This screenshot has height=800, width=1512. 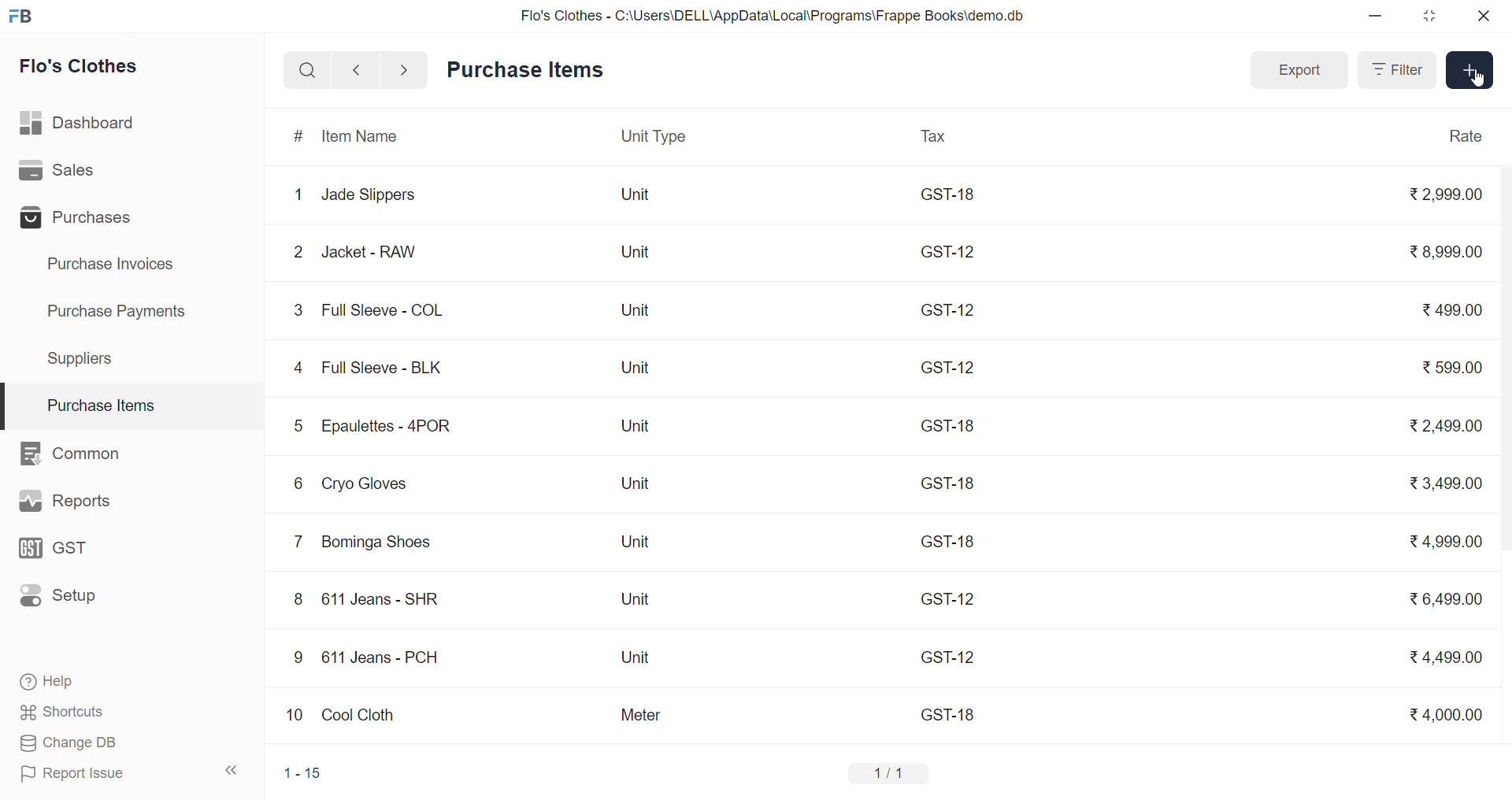 I want to click on Unit, so click(x=637, y=250).